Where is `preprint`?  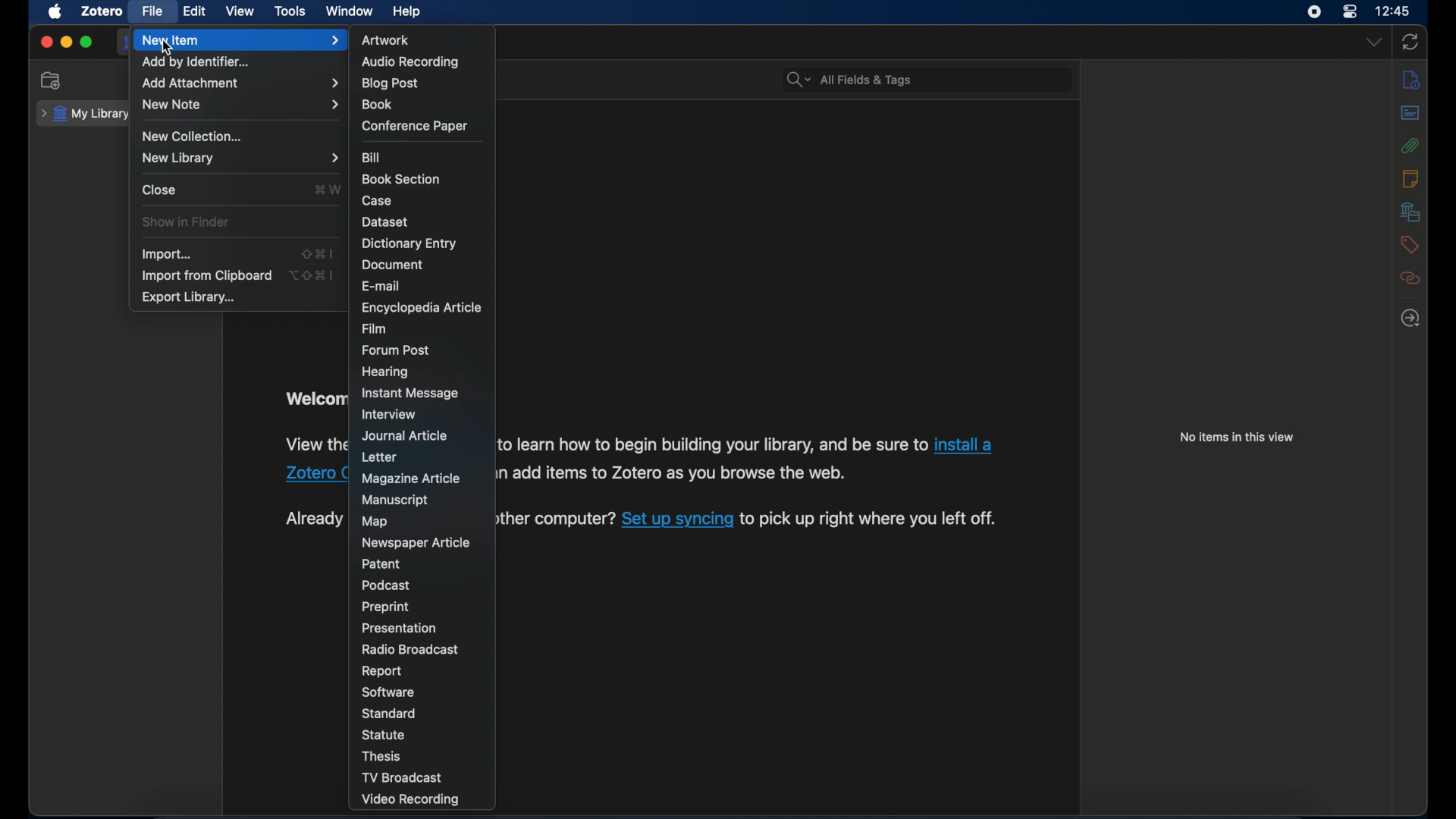
preprint is located at coordinates (385, 607).